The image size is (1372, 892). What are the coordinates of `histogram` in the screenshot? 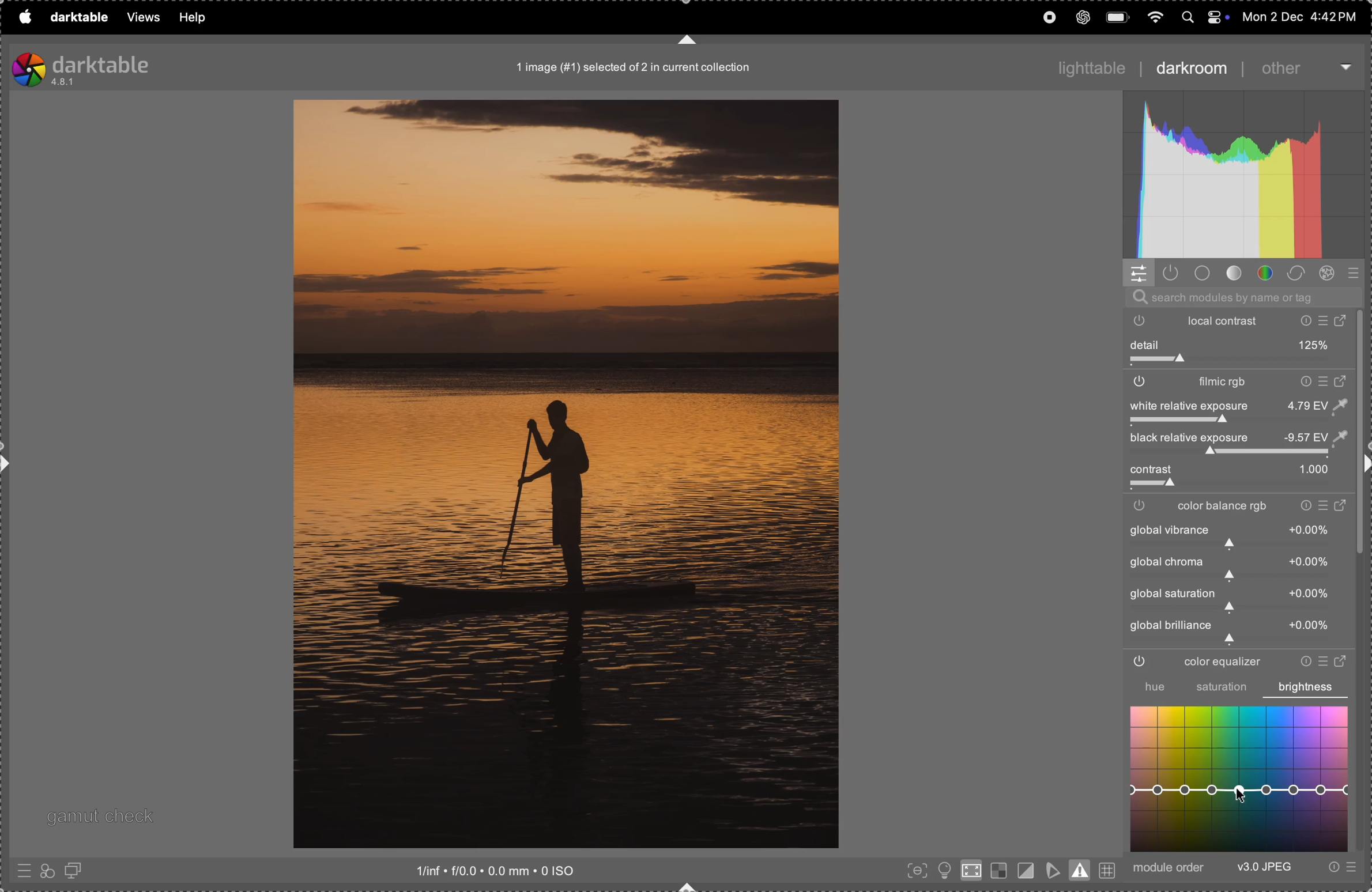 It's located at (1245, 176).